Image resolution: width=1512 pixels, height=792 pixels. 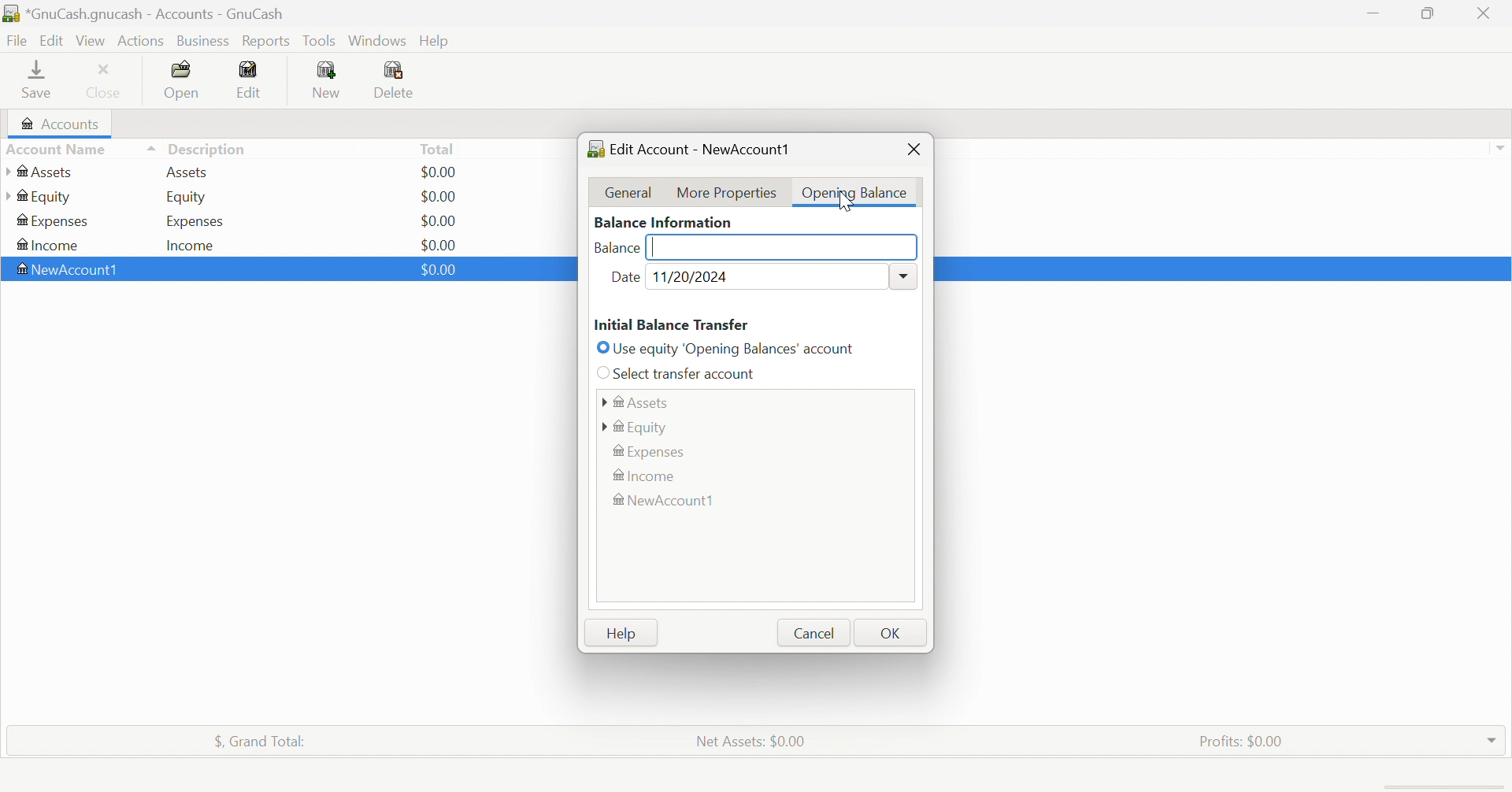 What do you see at coordinates (437, 40) in the screenshot?
I see `Help` at bounding box center [437, 40].